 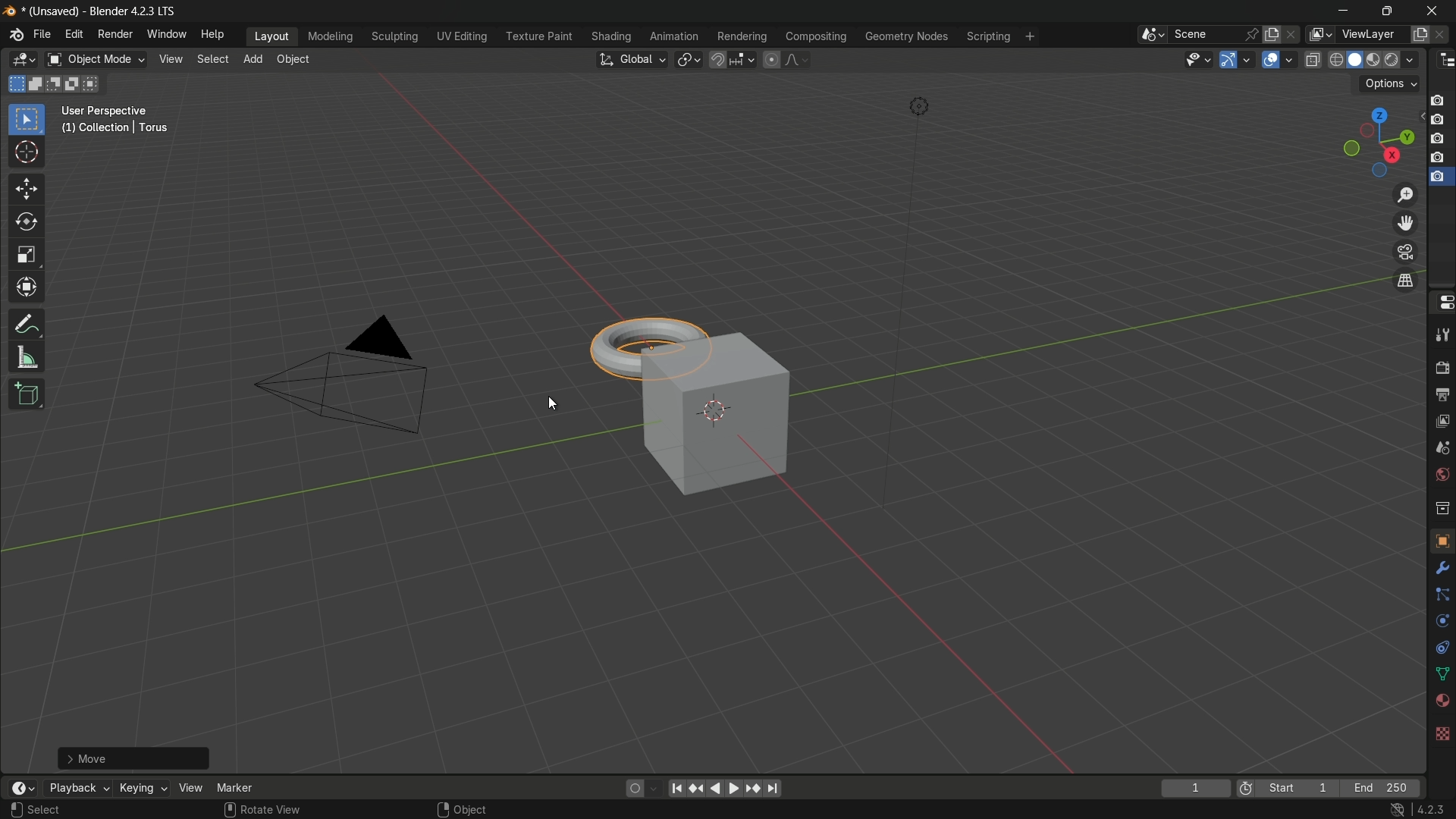 I want to click on file menu, so click(x=42, y=34).